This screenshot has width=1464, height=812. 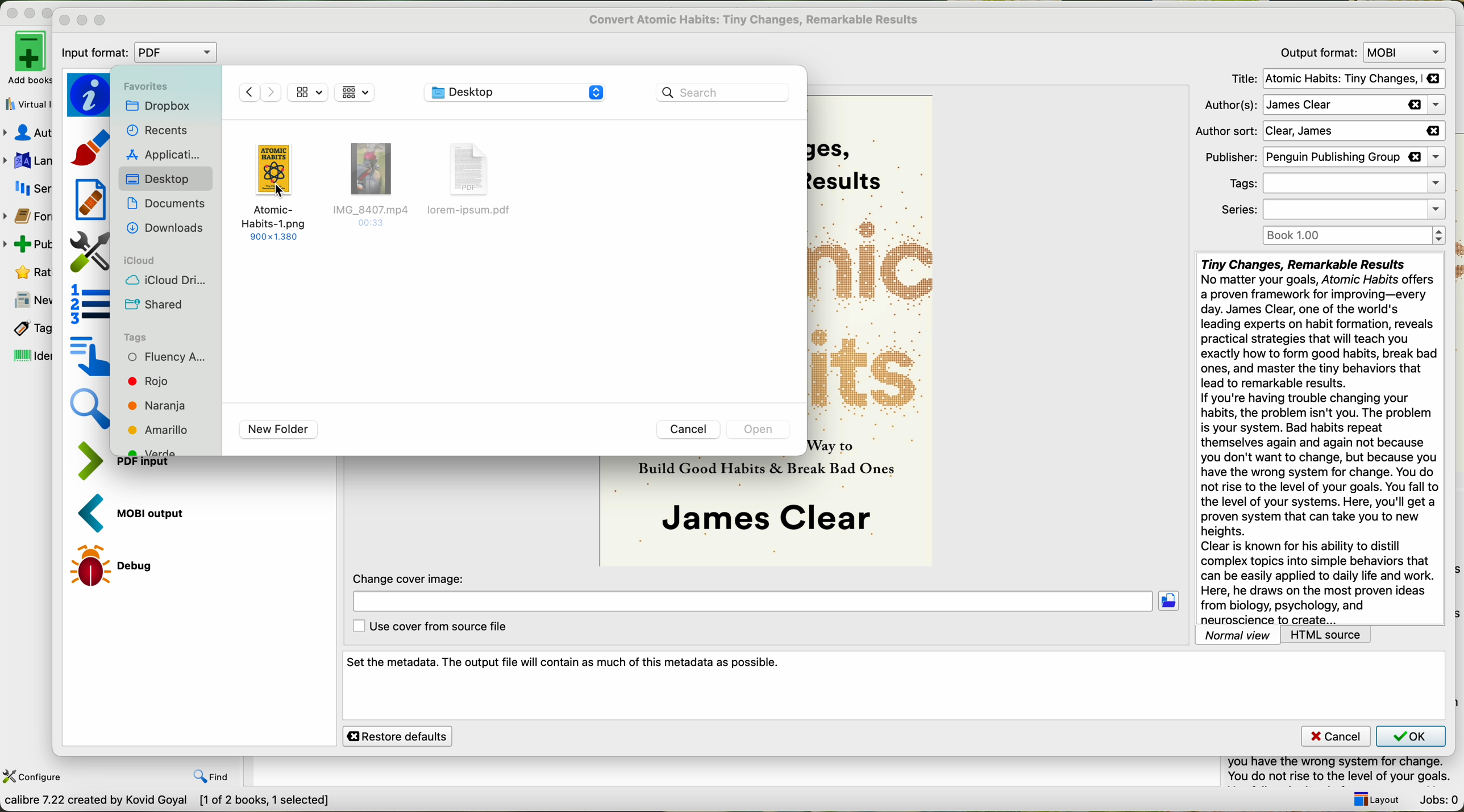 I want to click on icloud drive, so click(x=165, y=281).